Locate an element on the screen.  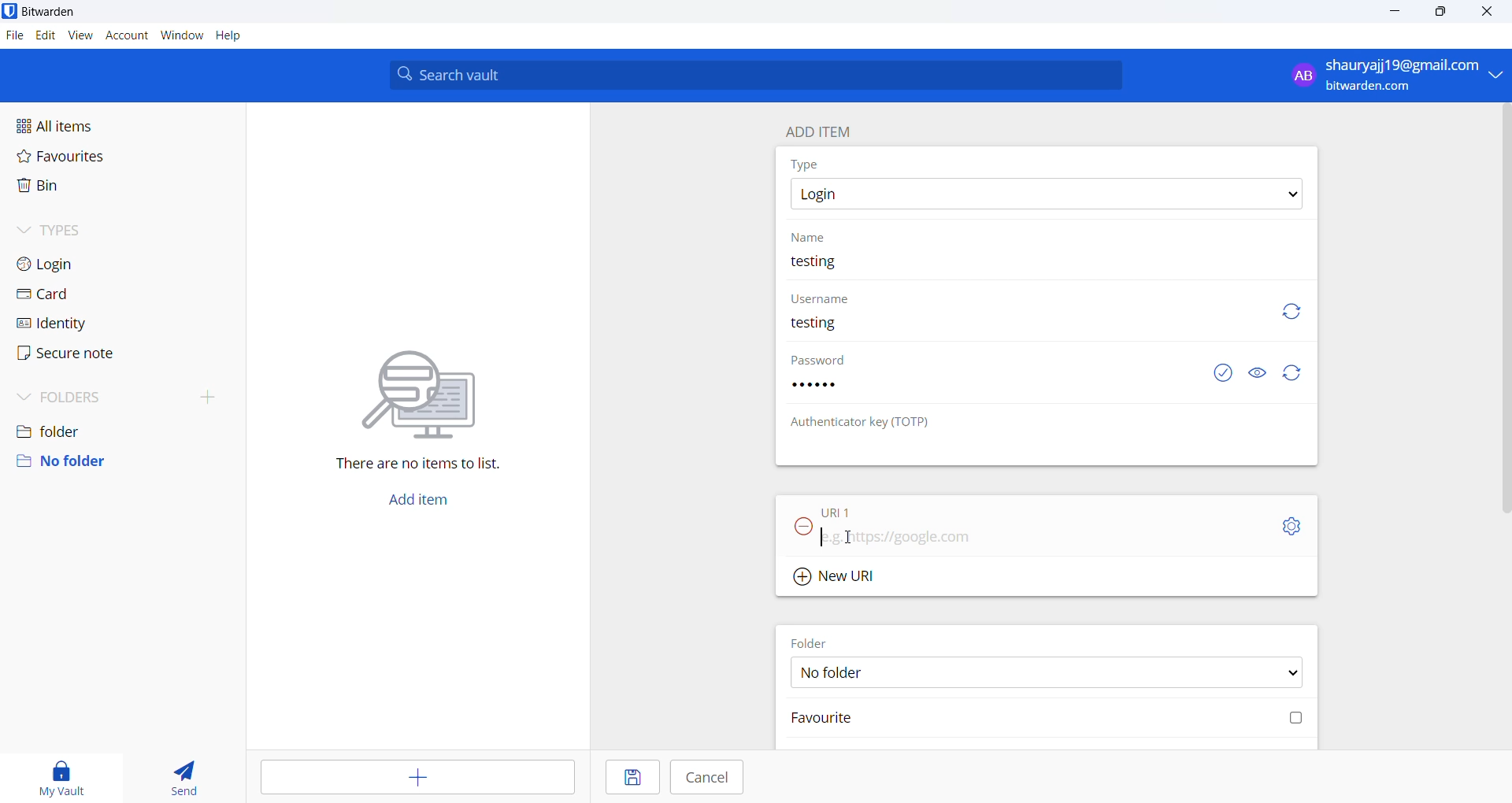
OTP heading: Authenticator key (TOTP) is located at coordinates (865, 422).